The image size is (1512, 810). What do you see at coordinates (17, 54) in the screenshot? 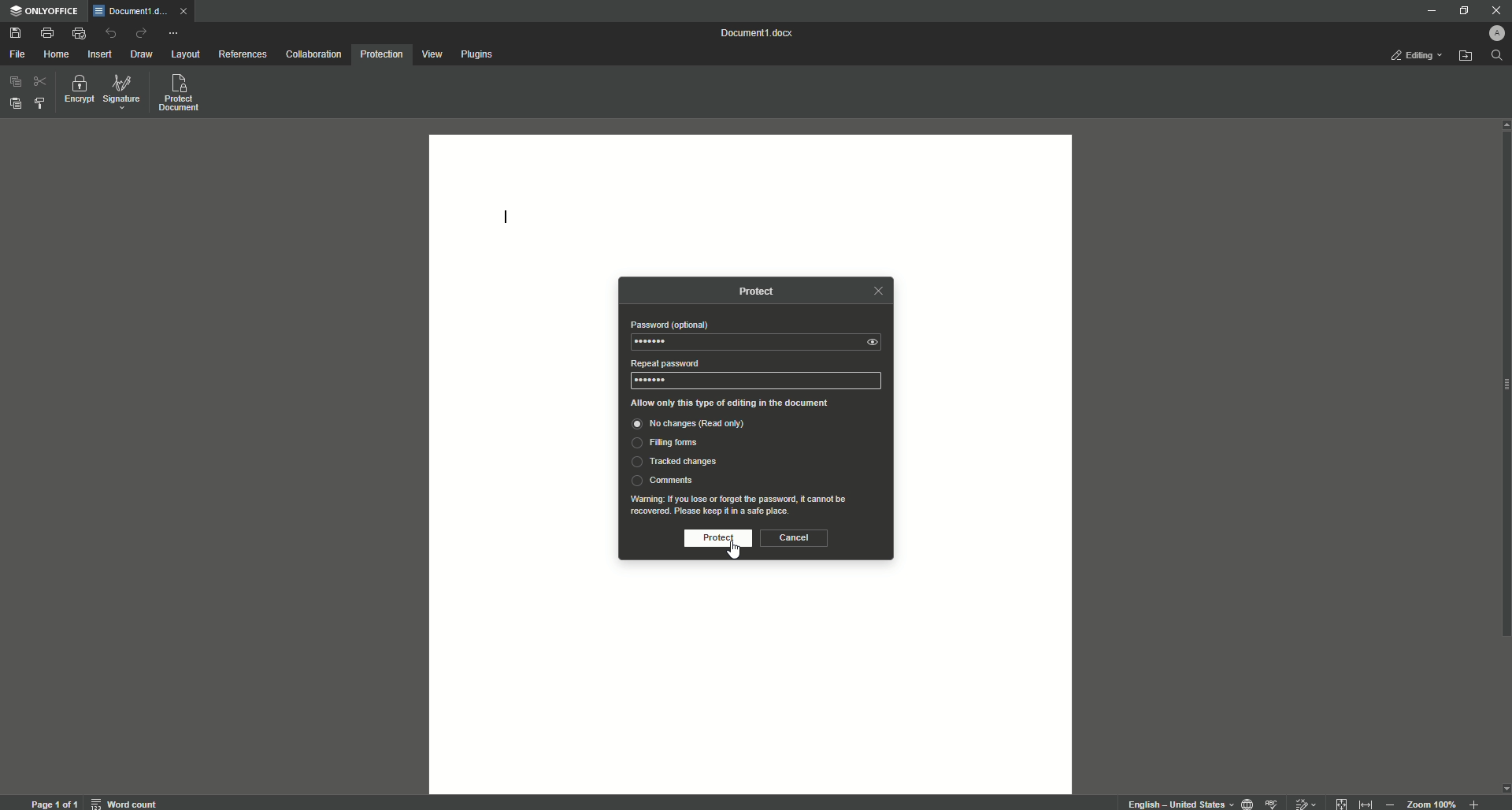
I see `File` at bounding box center [17, 54].